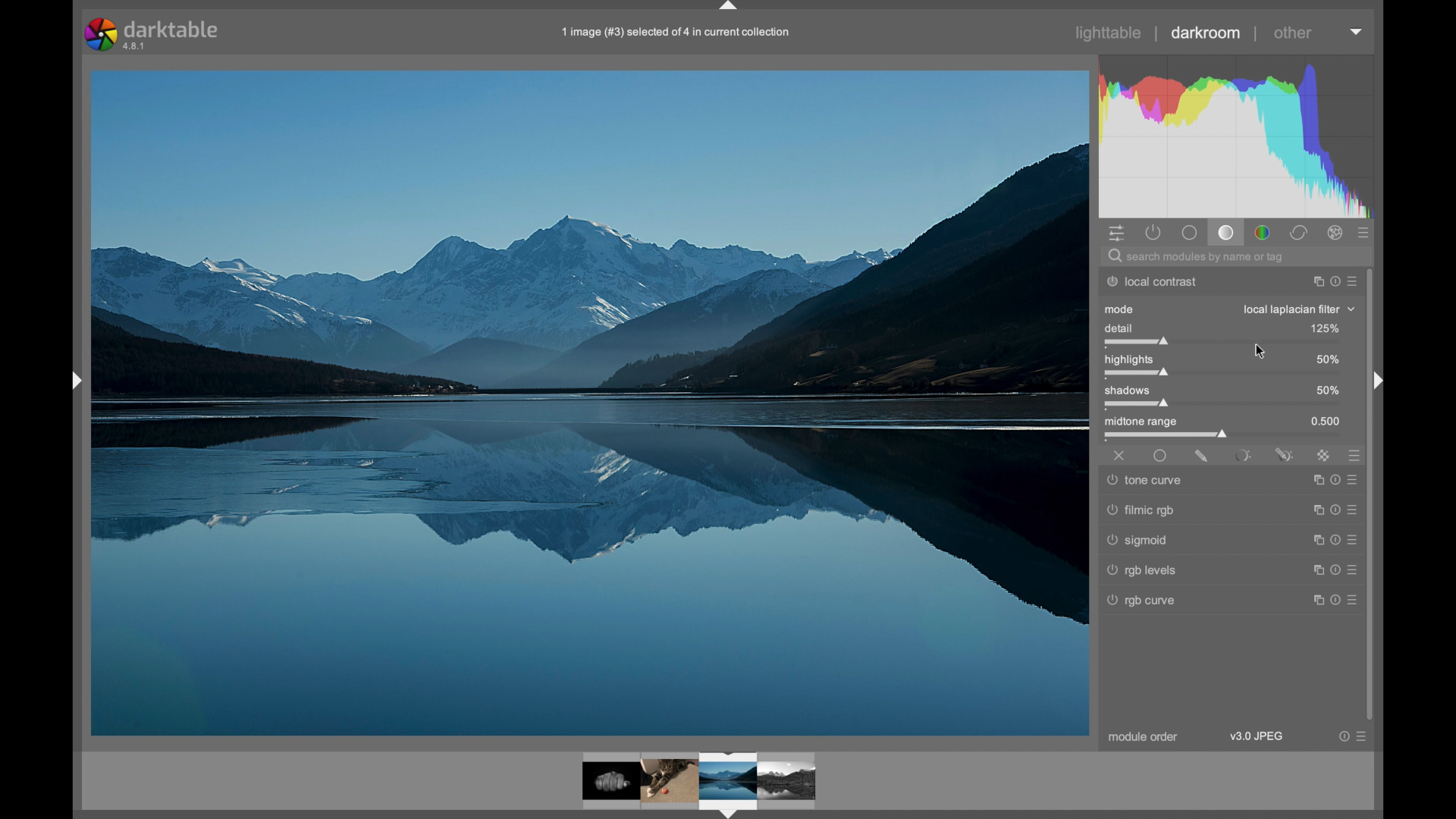  Describe the element at coordinates (1154, 233) in the screenshot. I see `show  active  modules only` at that location.